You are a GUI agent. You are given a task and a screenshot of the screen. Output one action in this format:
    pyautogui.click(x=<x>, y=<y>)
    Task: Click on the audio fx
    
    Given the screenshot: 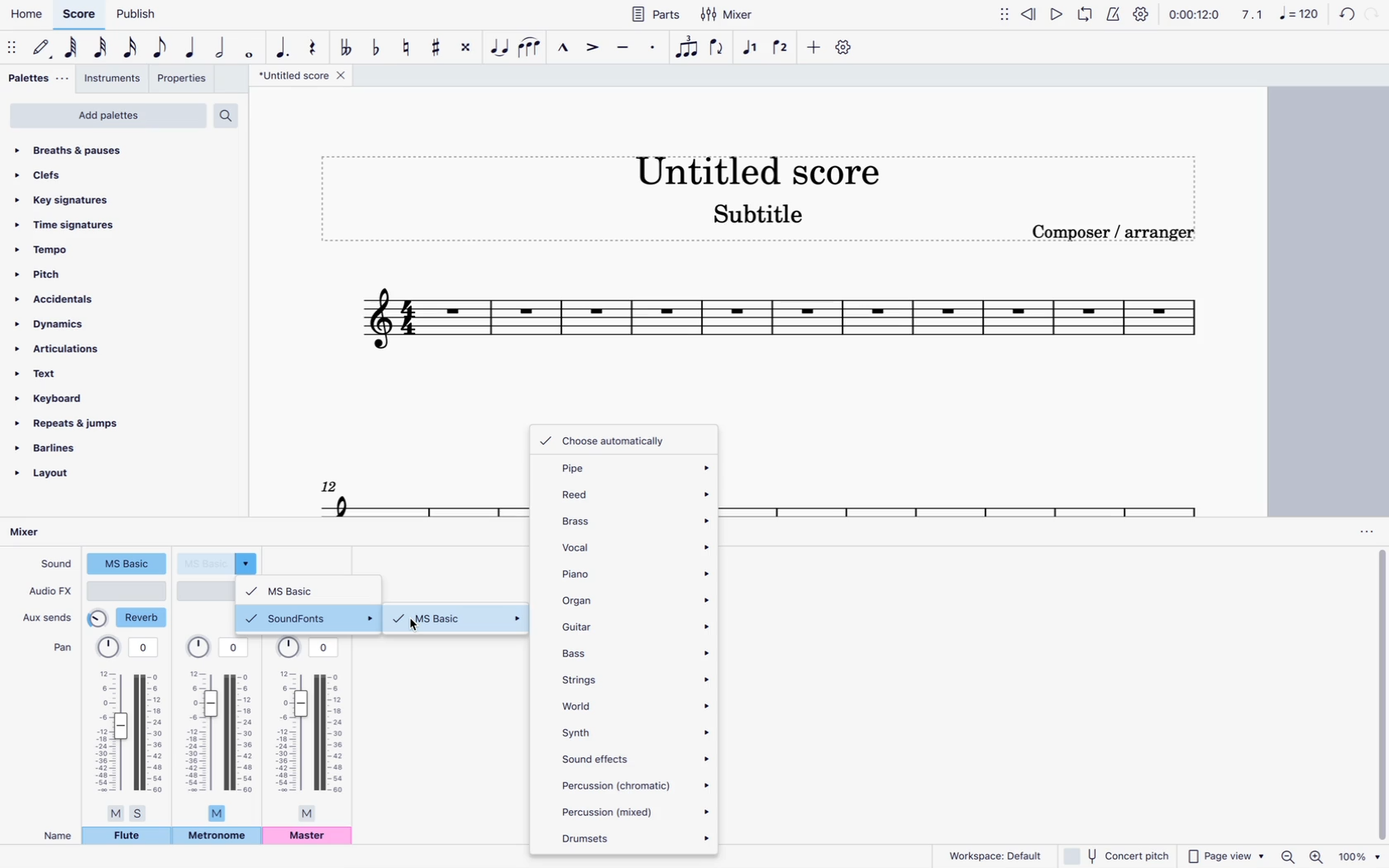 What is the action you would take?
    pyautogui.click(x=50, y=593)
    